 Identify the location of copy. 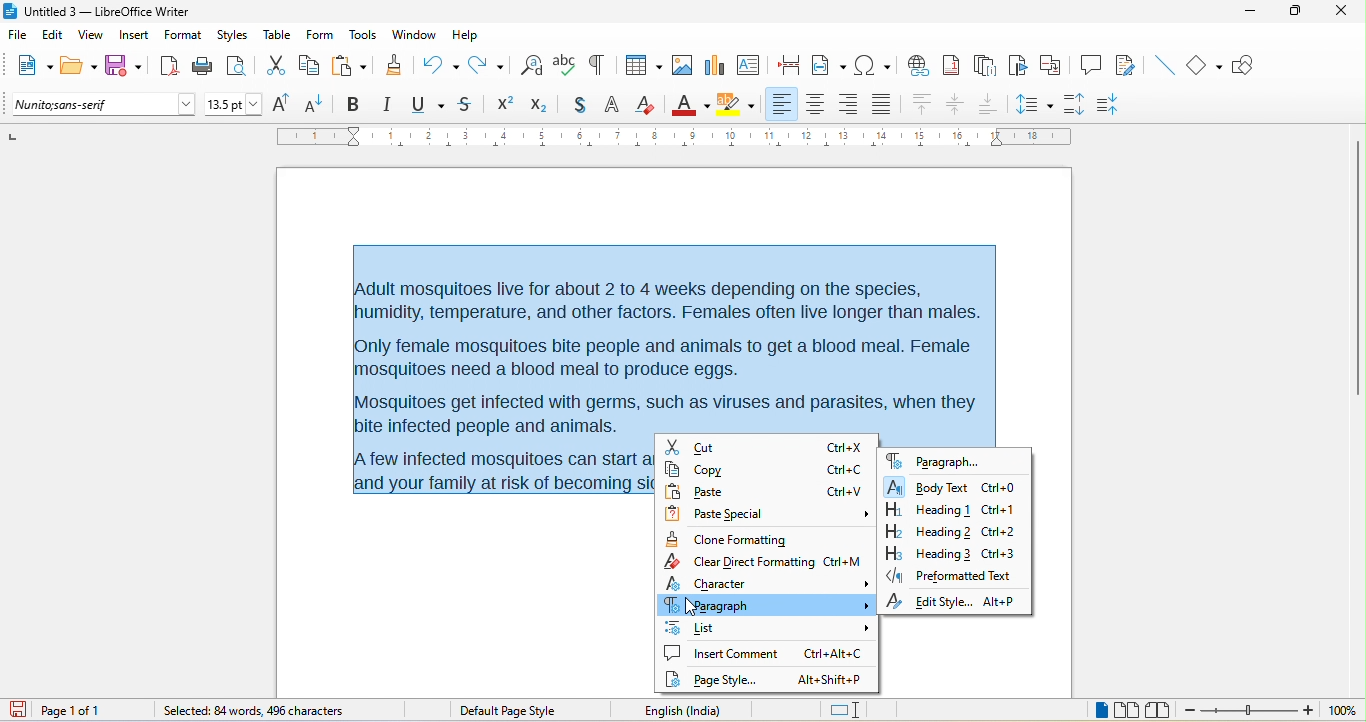
(728, 470).